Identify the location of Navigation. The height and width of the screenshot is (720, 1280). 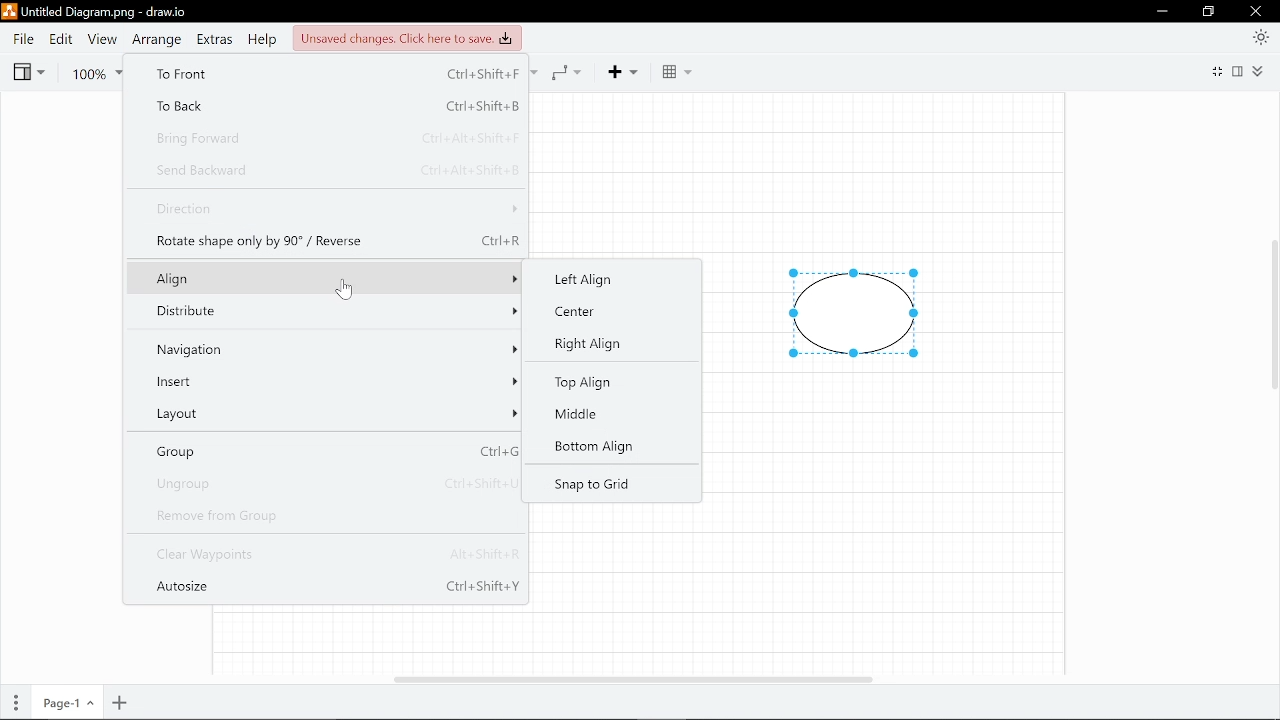
(331, 348).